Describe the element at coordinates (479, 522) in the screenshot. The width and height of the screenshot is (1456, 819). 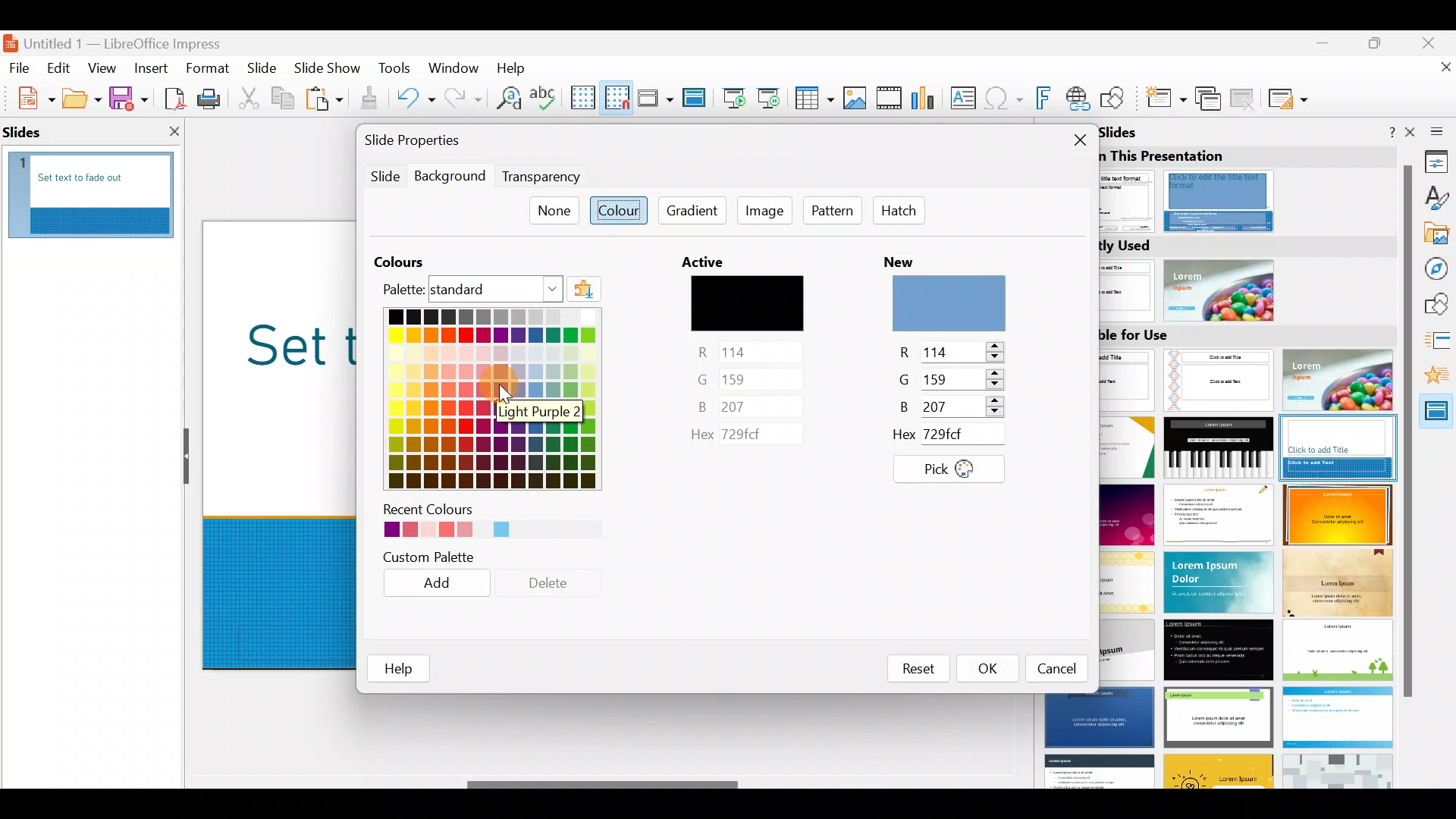
I see `Recent colours` at that location.